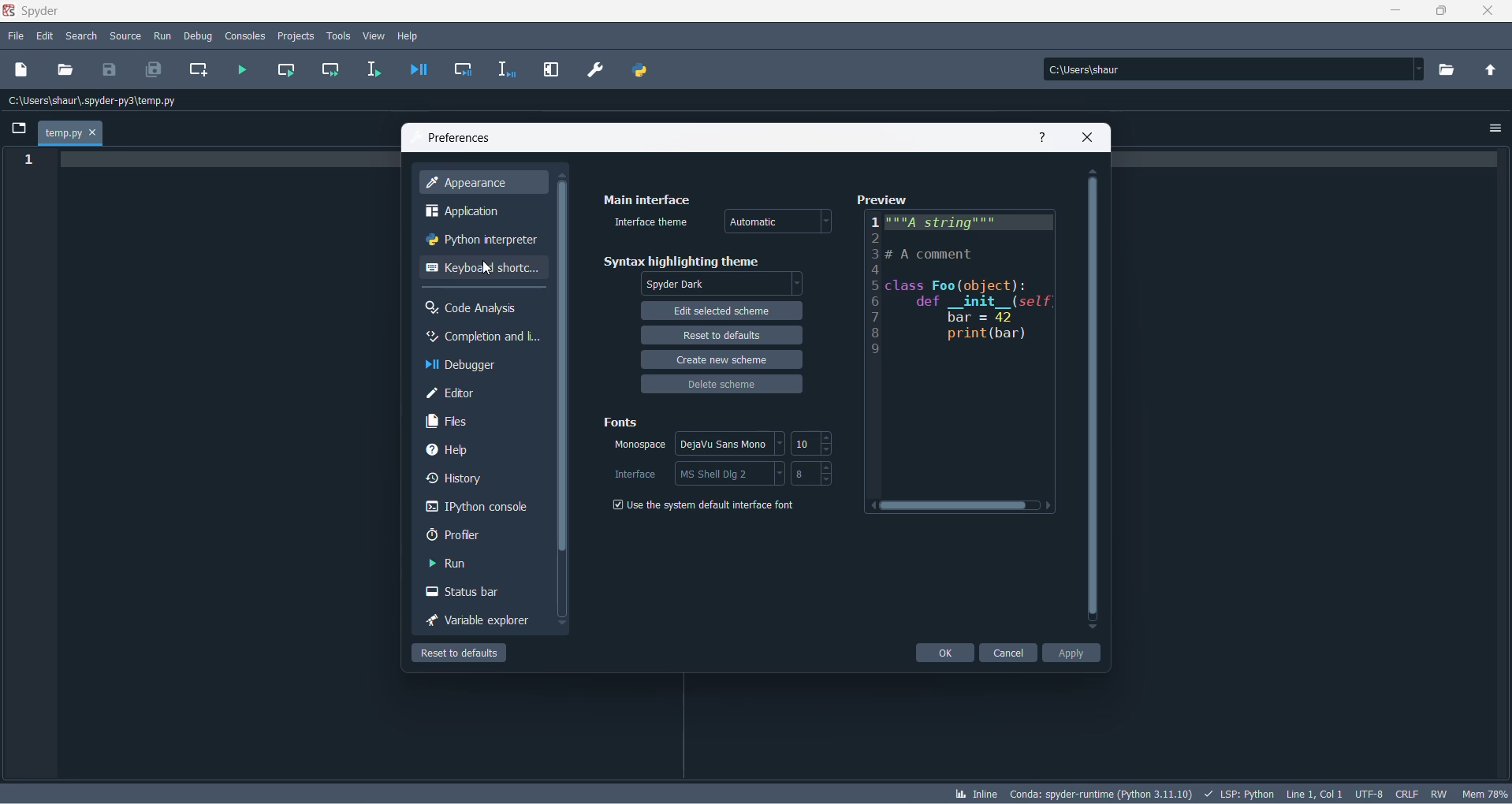 This screenshot has width=1512, height=804. What do you see at coordinates (876, 285) in the screenshot?
I see `line number` at bounding box center [876, 285].